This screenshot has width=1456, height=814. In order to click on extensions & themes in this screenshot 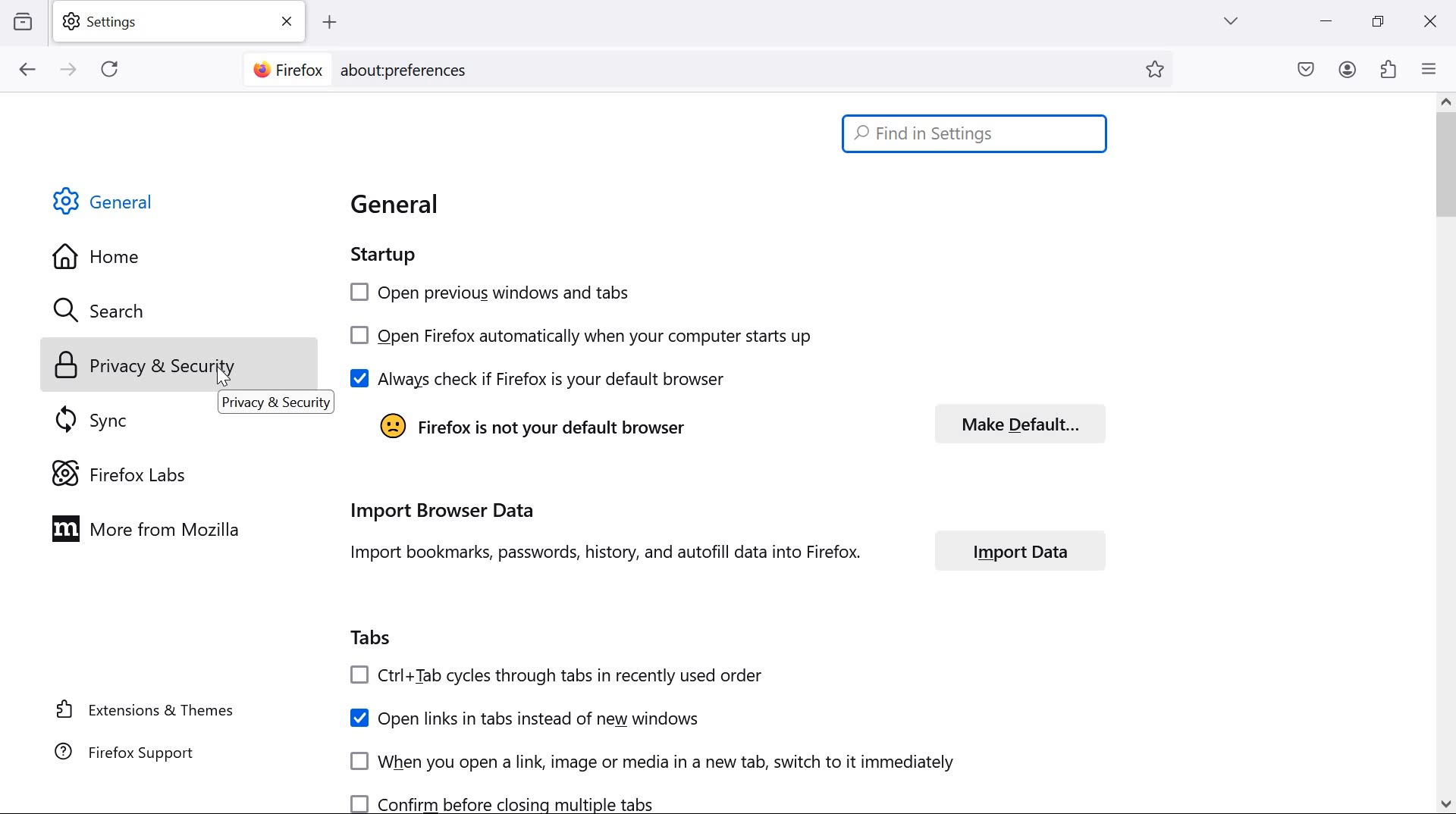, I will do `click(146, 709)`.